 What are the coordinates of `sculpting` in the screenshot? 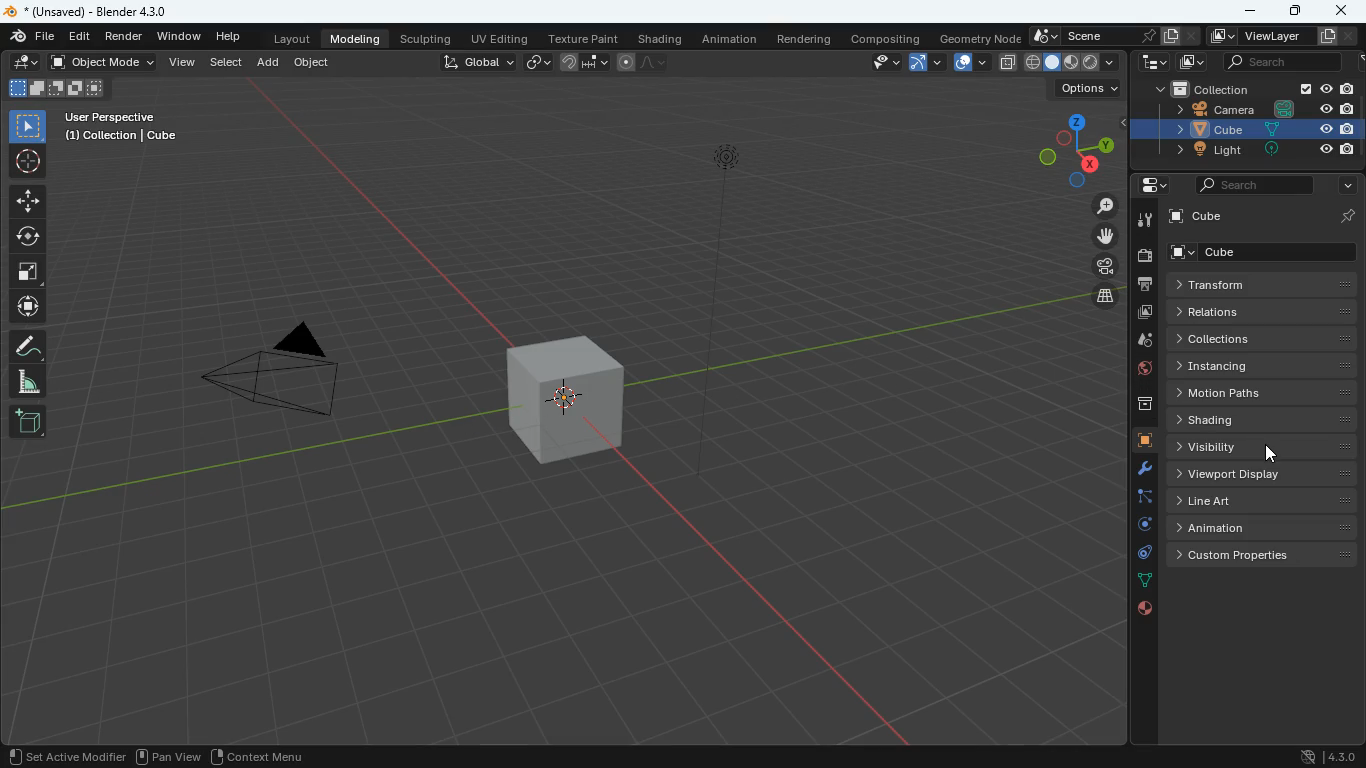 It's located at (426, 38).